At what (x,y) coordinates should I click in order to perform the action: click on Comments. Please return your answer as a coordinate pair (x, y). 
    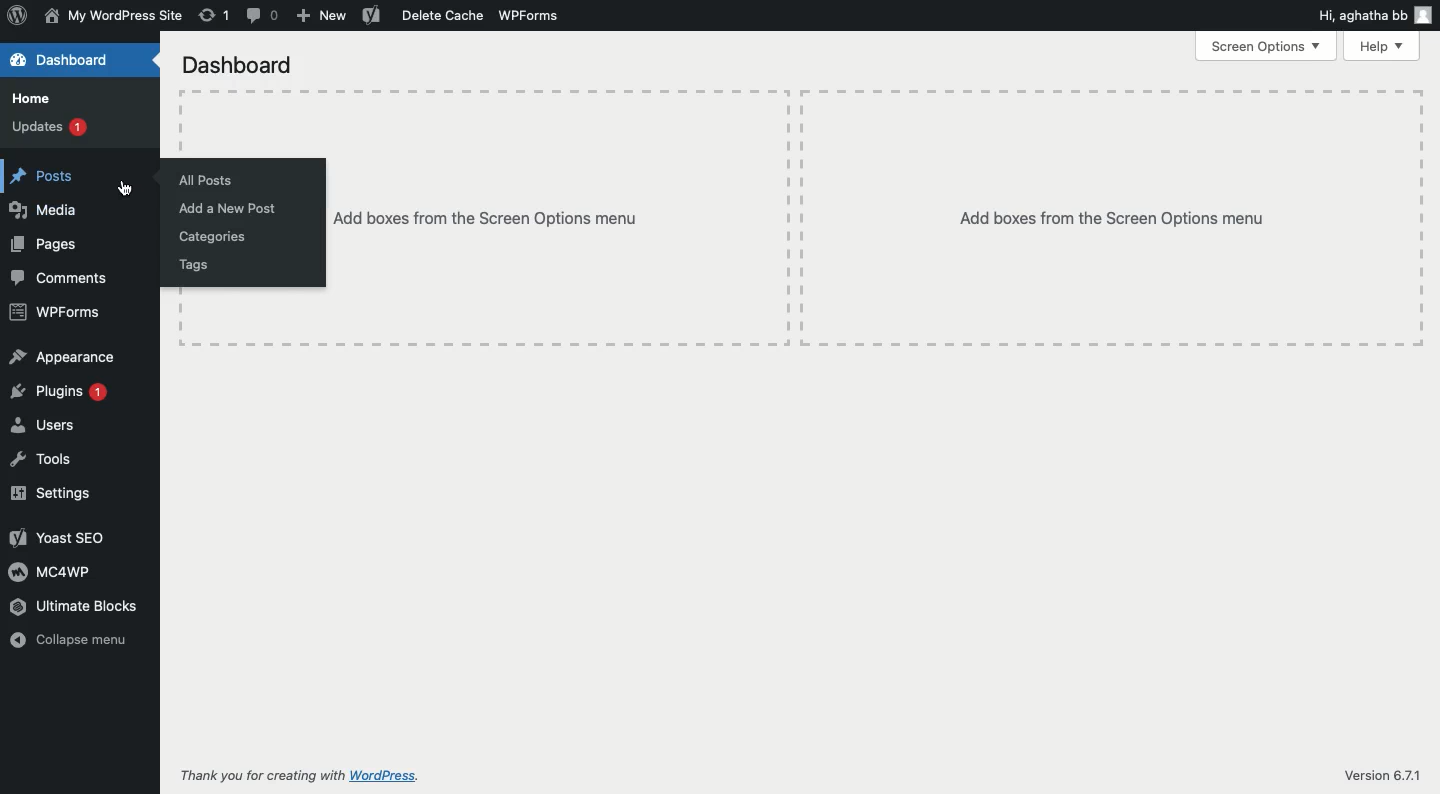
    Looking at the image, I should click on (66, 281).